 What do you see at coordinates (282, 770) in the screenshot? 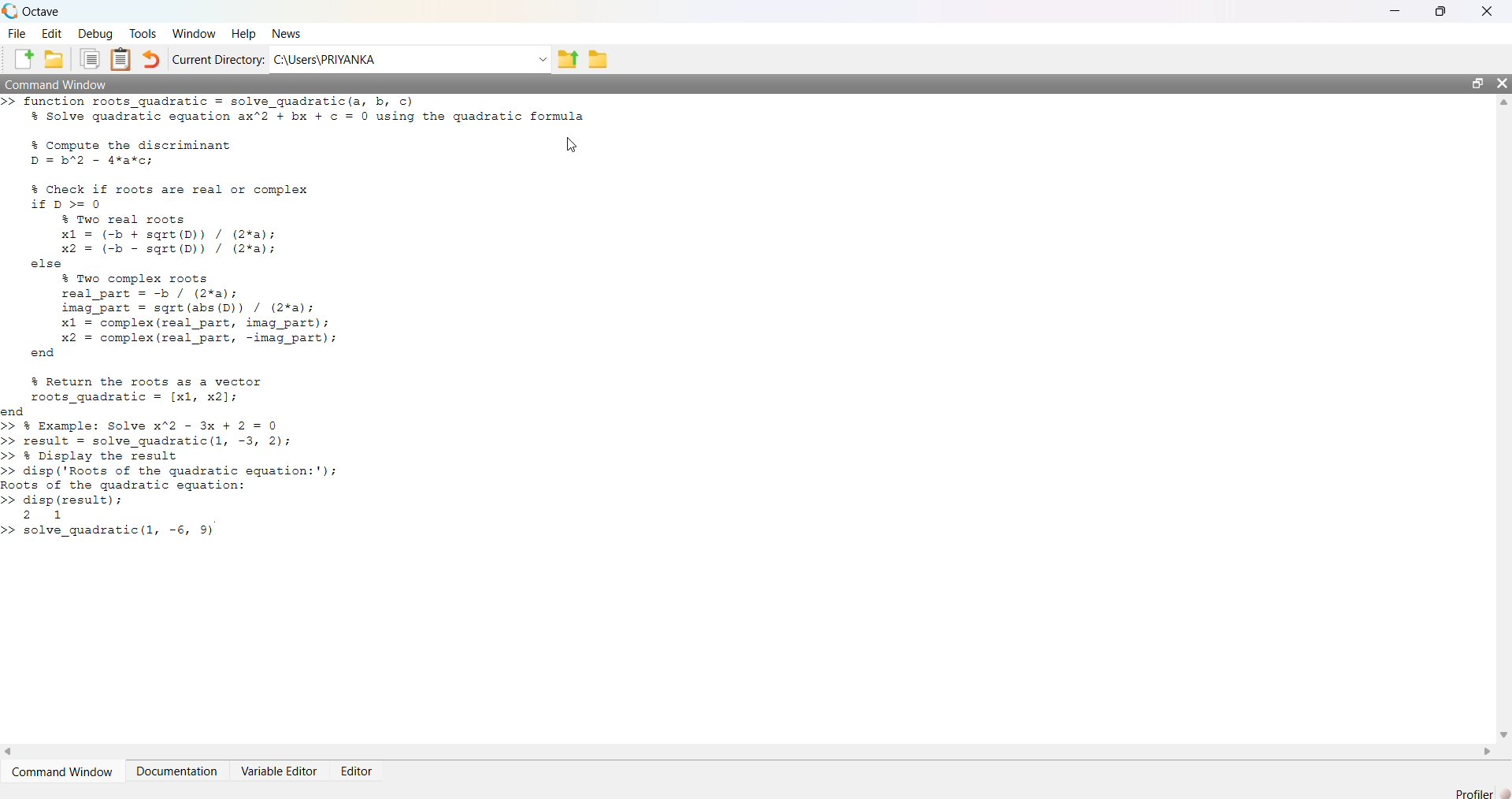
I see `Variable Editor` at bounding box center [282, 770].